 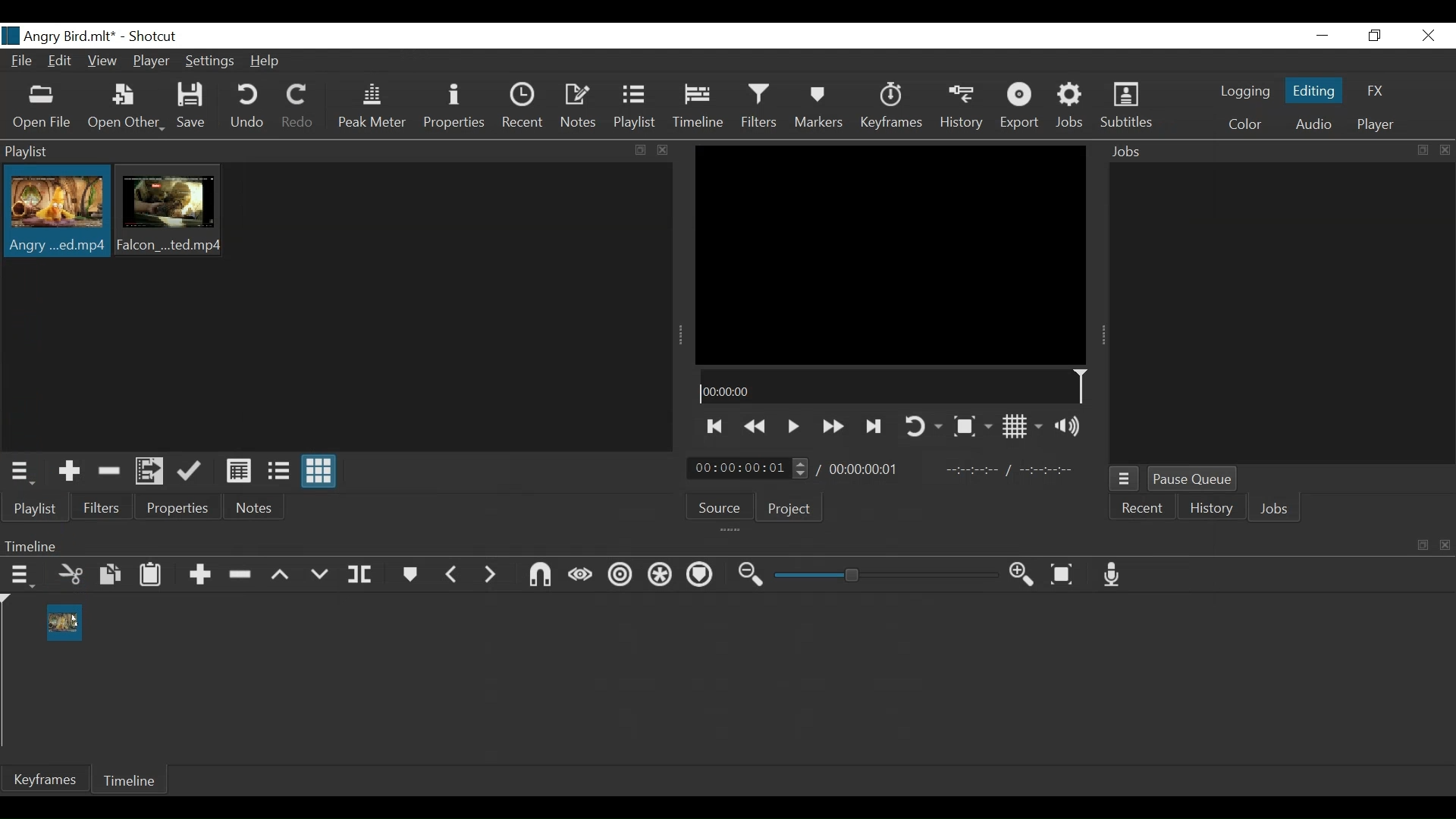 I want to click on Overwrite, so click(x=319, y=574).